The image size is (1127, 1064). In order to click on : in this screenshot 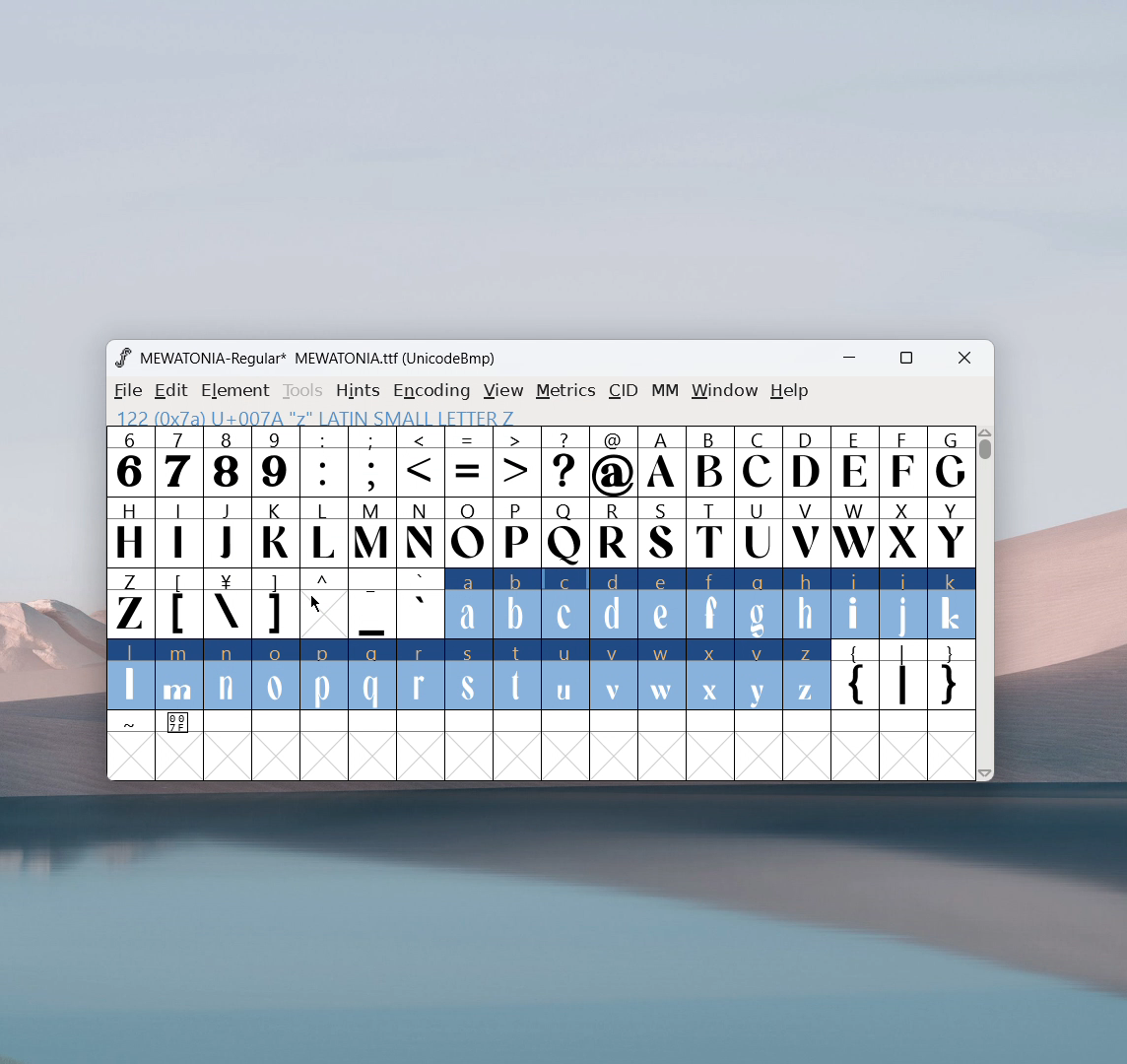, I will do `click(323, 462)`.